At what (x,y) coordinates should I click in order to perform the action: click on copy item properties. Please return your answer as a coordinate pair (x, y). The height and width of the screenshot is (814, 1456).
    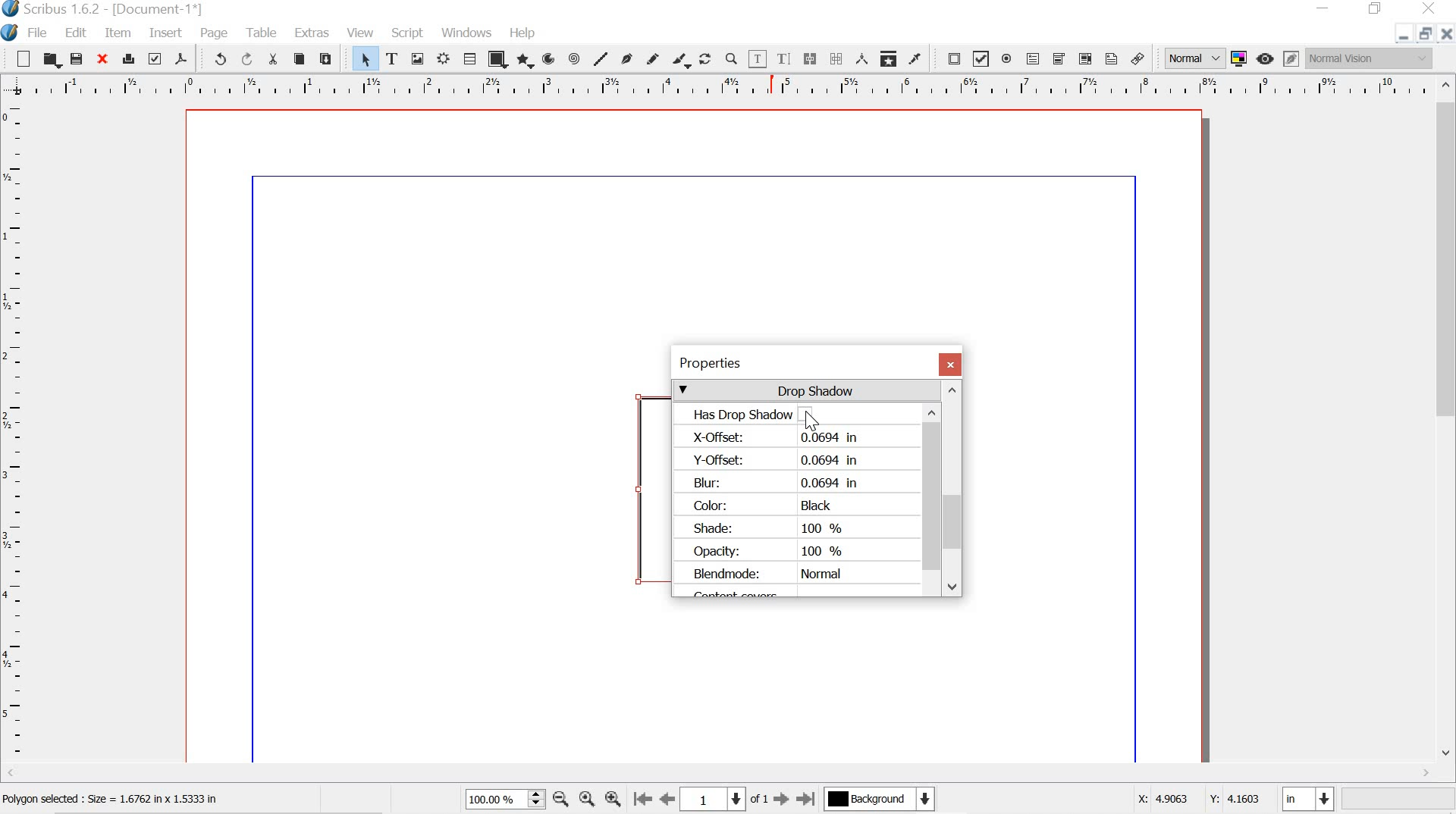
    Looking at the image, I should click on (887, 57).